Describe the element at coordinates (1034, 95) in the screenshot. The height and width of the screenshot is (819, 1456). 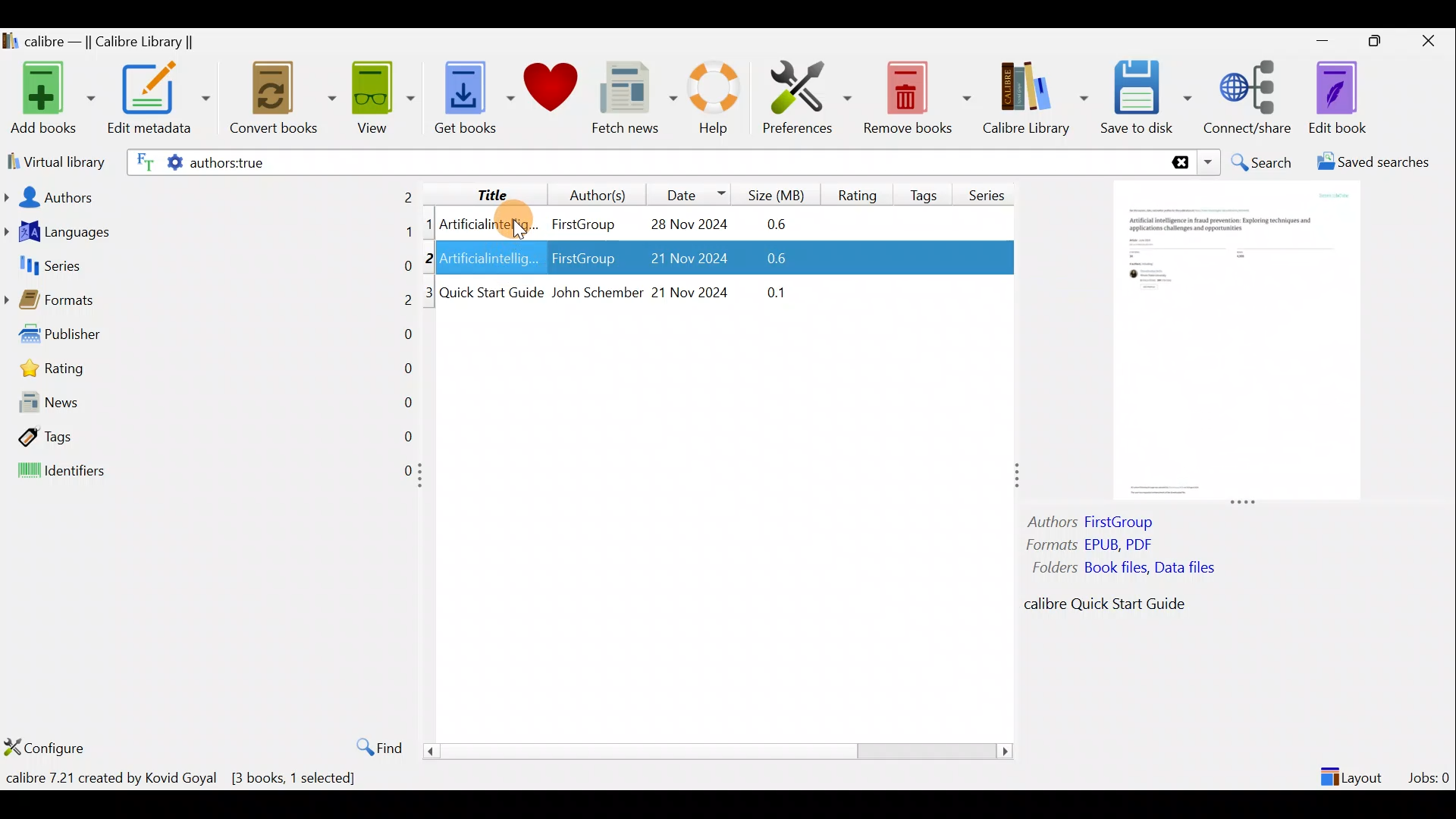
I see `Calibre library` at that location.